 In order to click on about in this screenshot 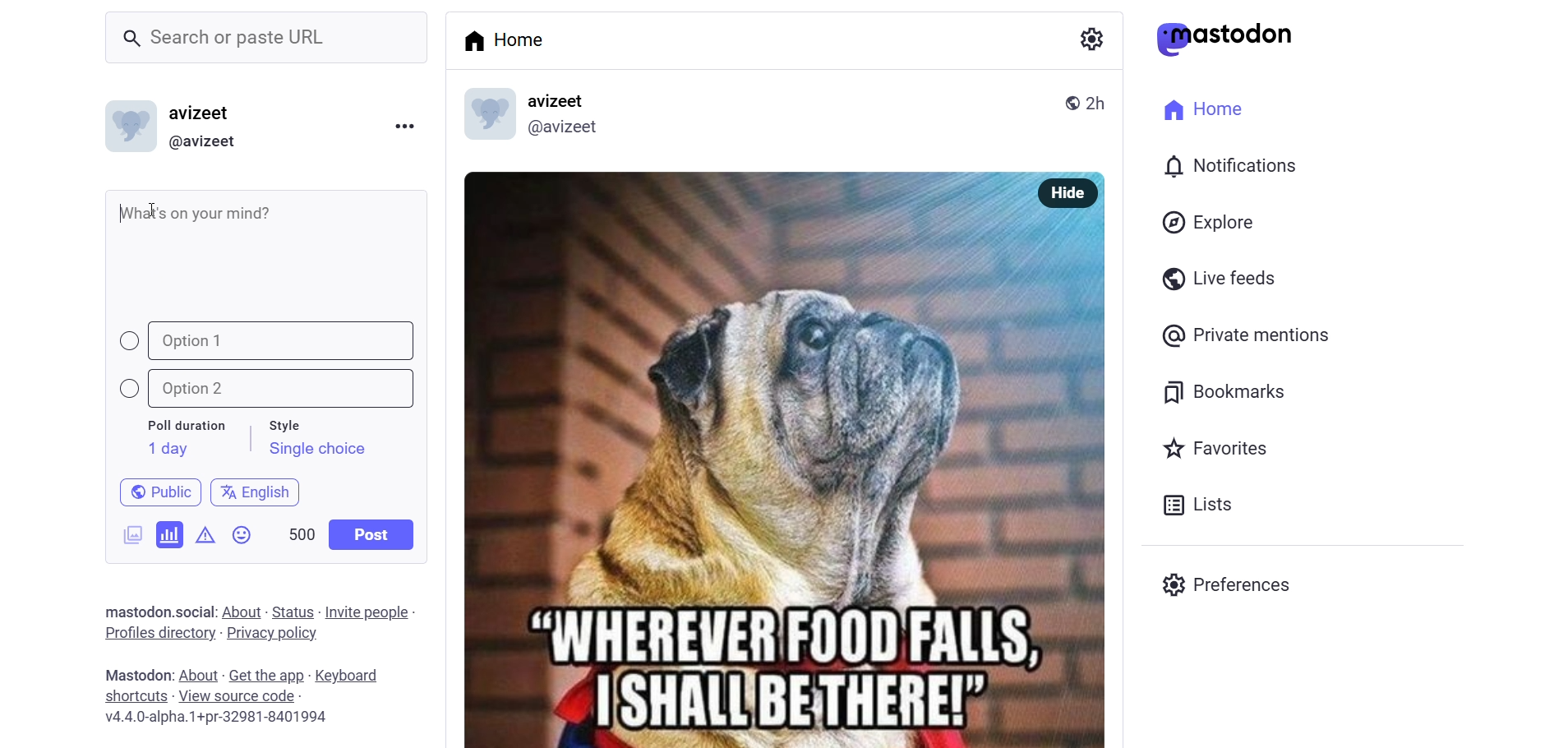, I will do `click(196, 676)`.